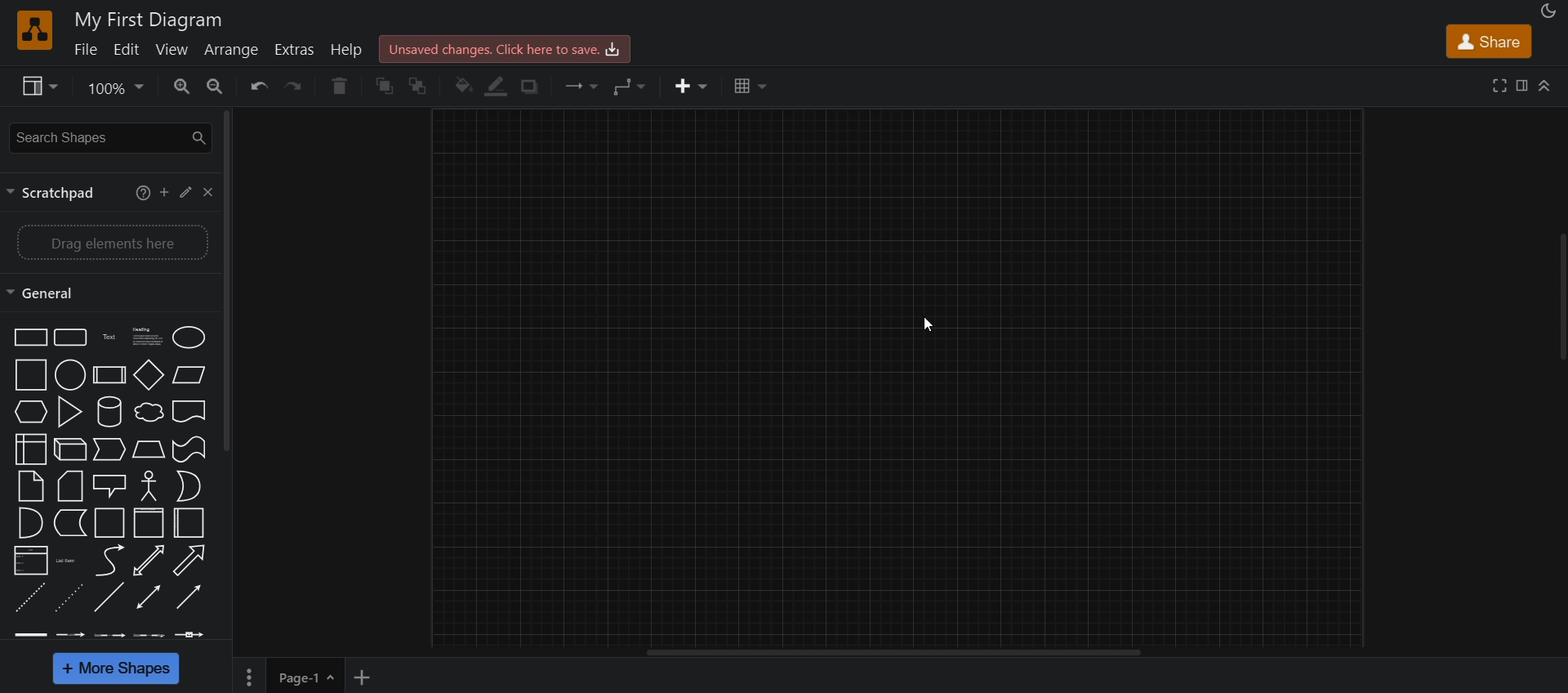 This screenshot has height=693, width=1568. I want to click on add, so click(163, 192).